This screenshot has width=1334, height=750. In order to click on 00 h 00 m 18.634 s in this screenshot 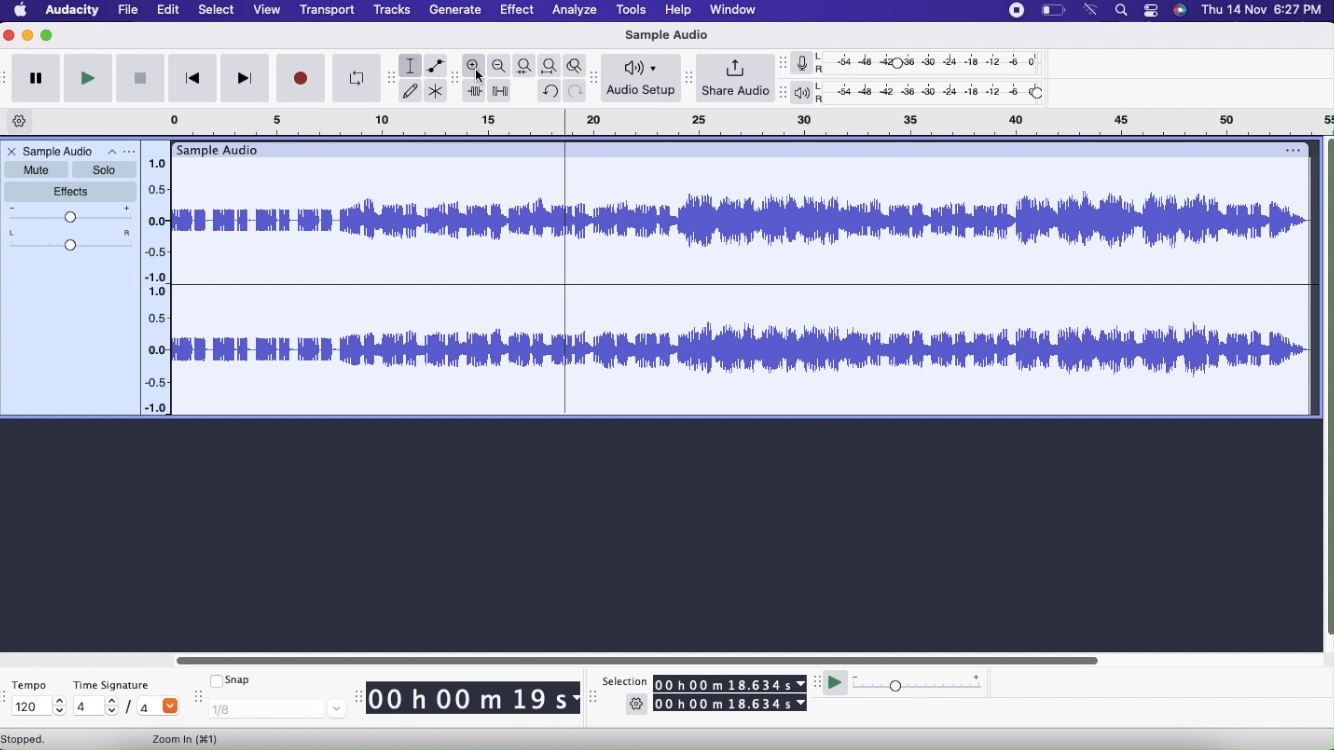, I will do `click(730, 704)`.